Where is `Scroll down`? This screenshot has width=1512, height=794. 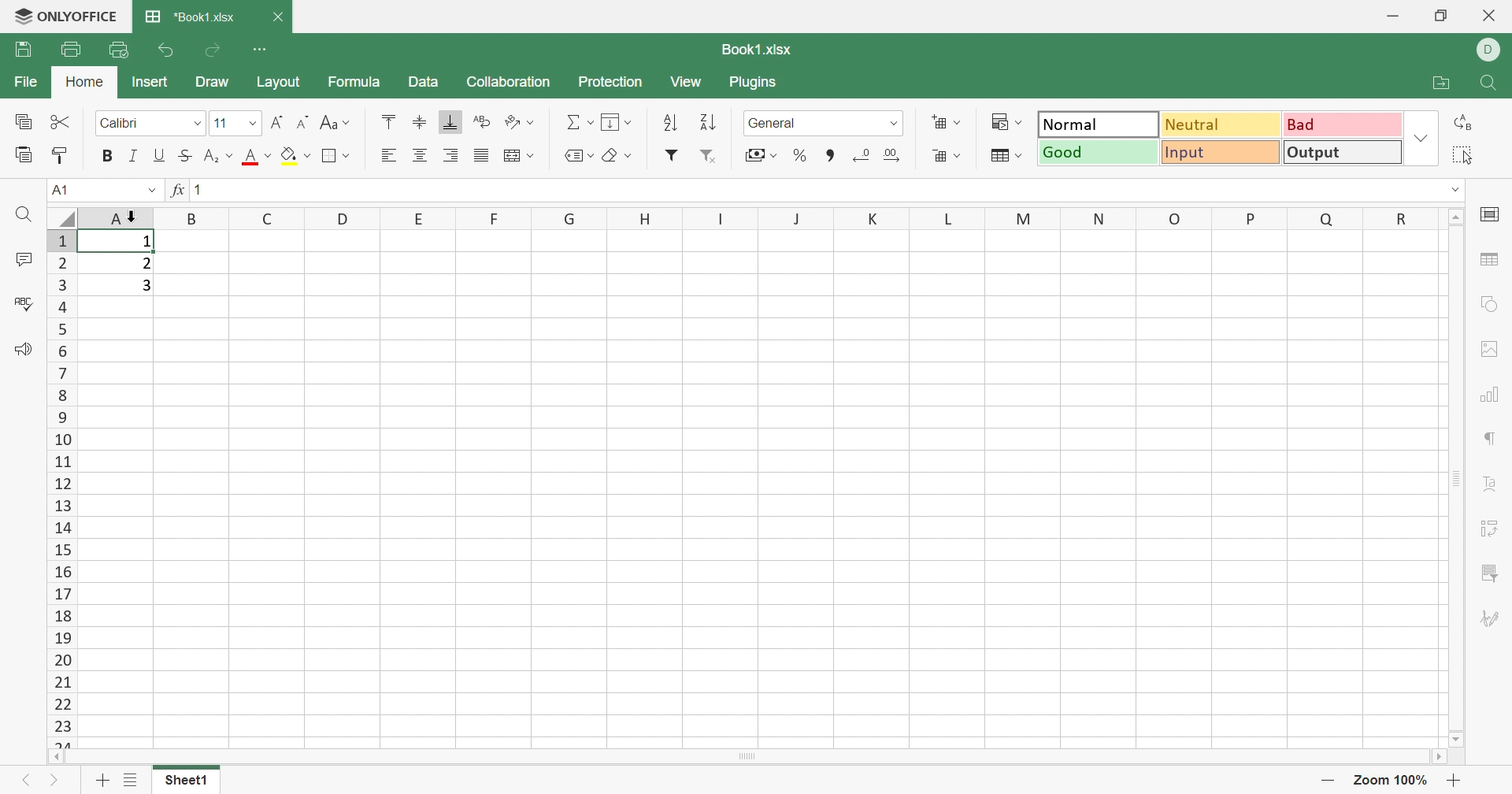 Scroll down is located at coordinates (1456, 740).